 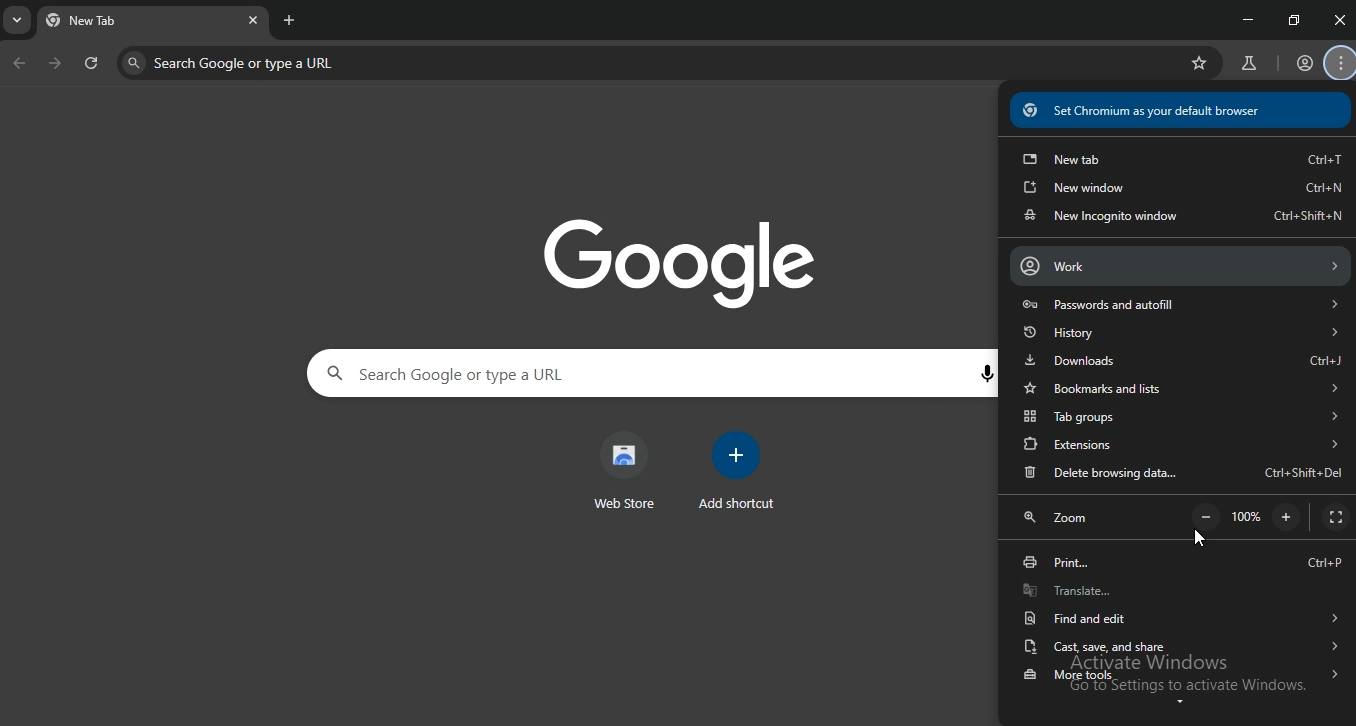 I want to click on restore windows, so click(x=1295, y=20).